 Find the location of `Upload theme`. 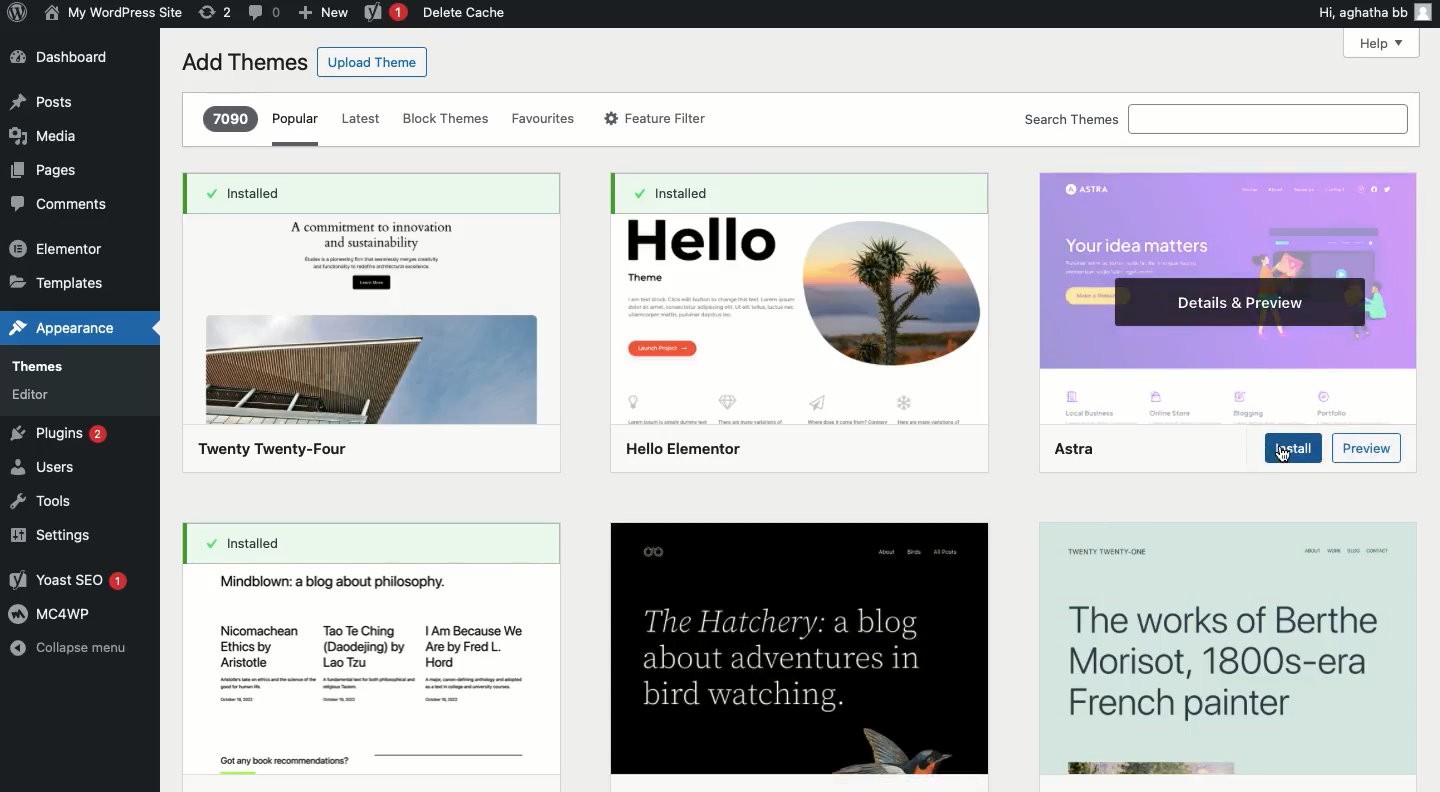

Upload theme is located at coordinates (370, 62).